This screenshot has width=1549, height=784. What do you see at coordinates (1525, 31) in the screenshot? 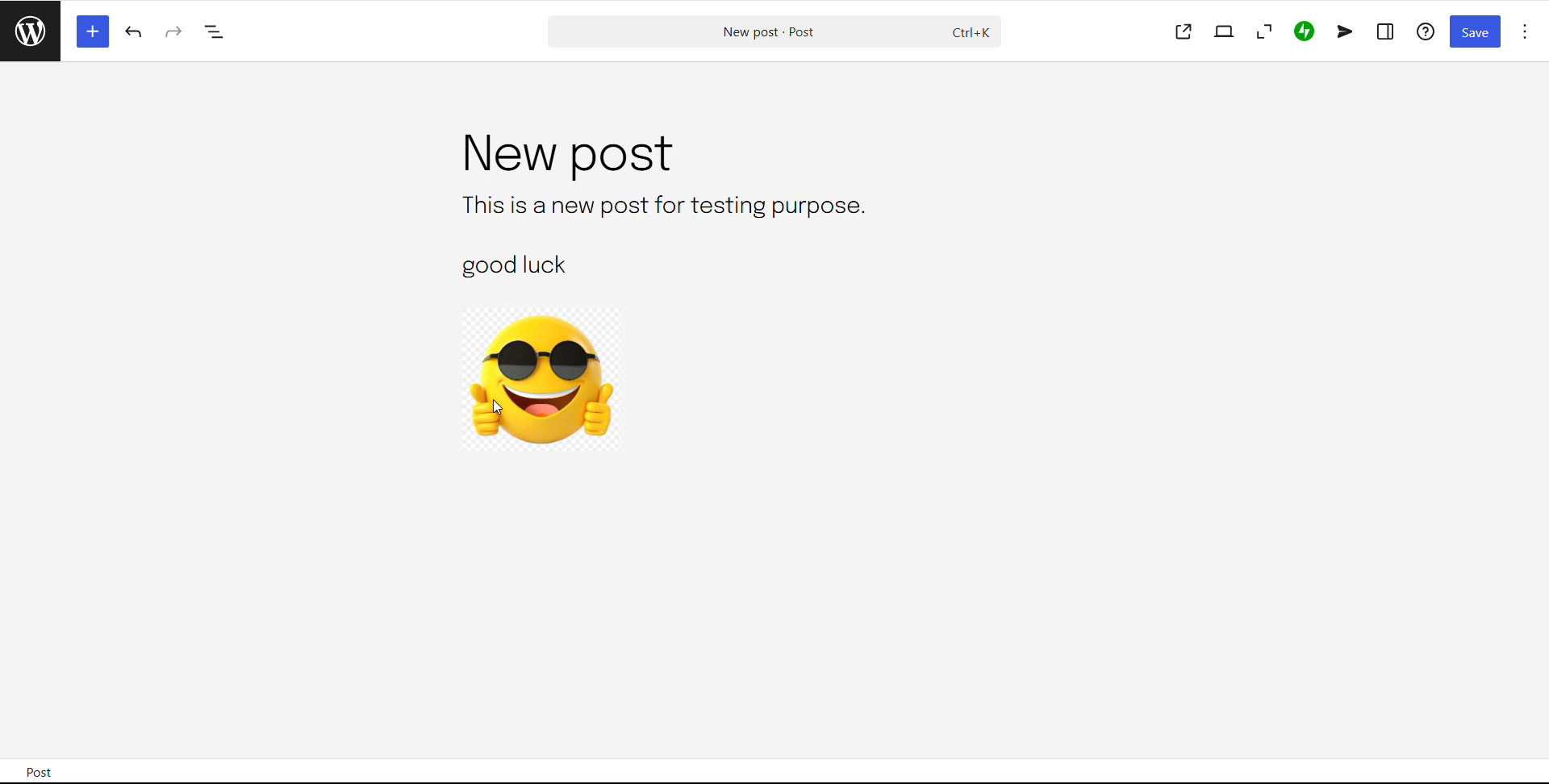
I see `options` at bounding box center [1525, 31].